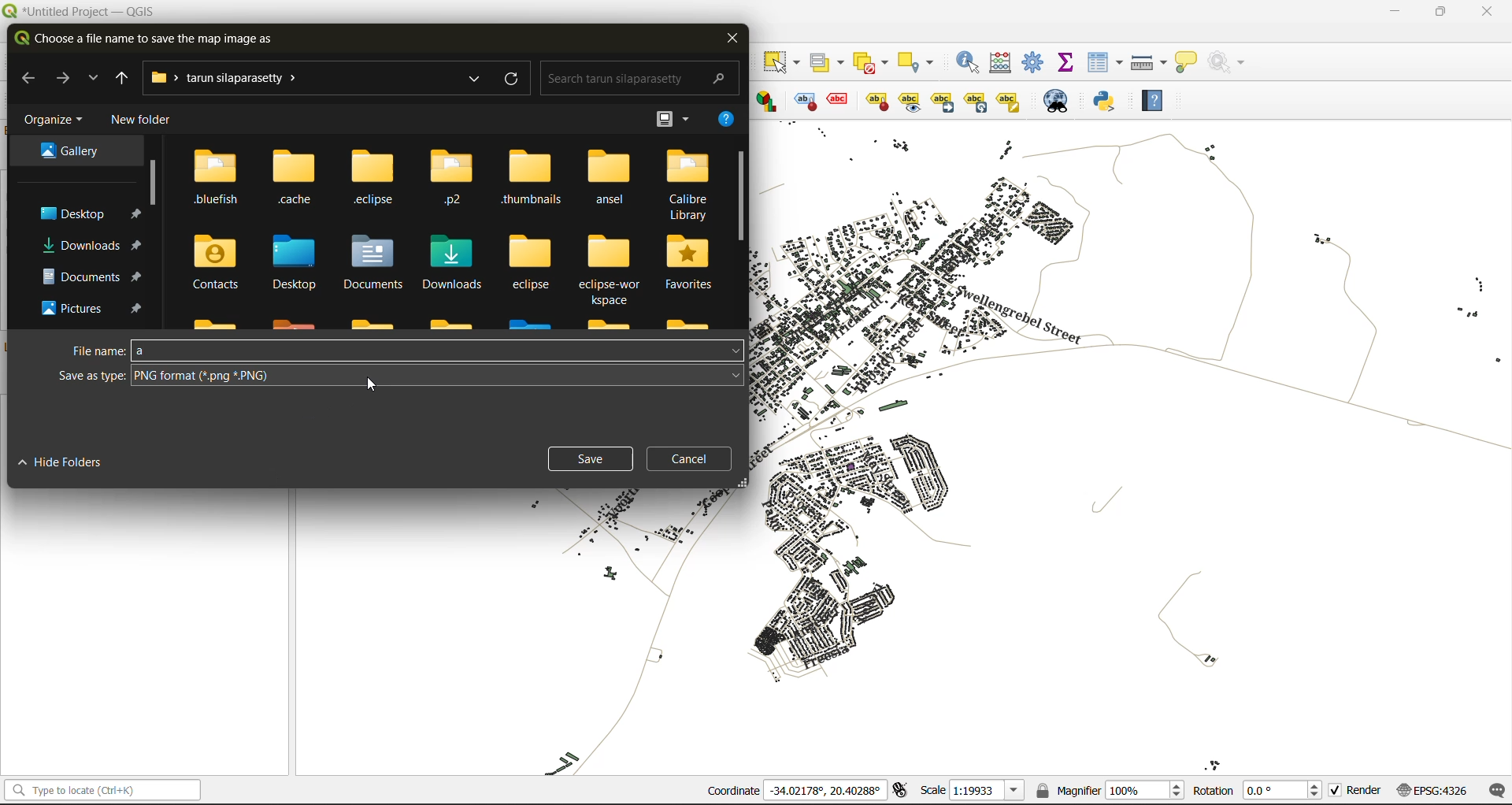 Image resolution: width=1512 pixels, height=805 pixels. I want to click on scale, so click(968, 791).